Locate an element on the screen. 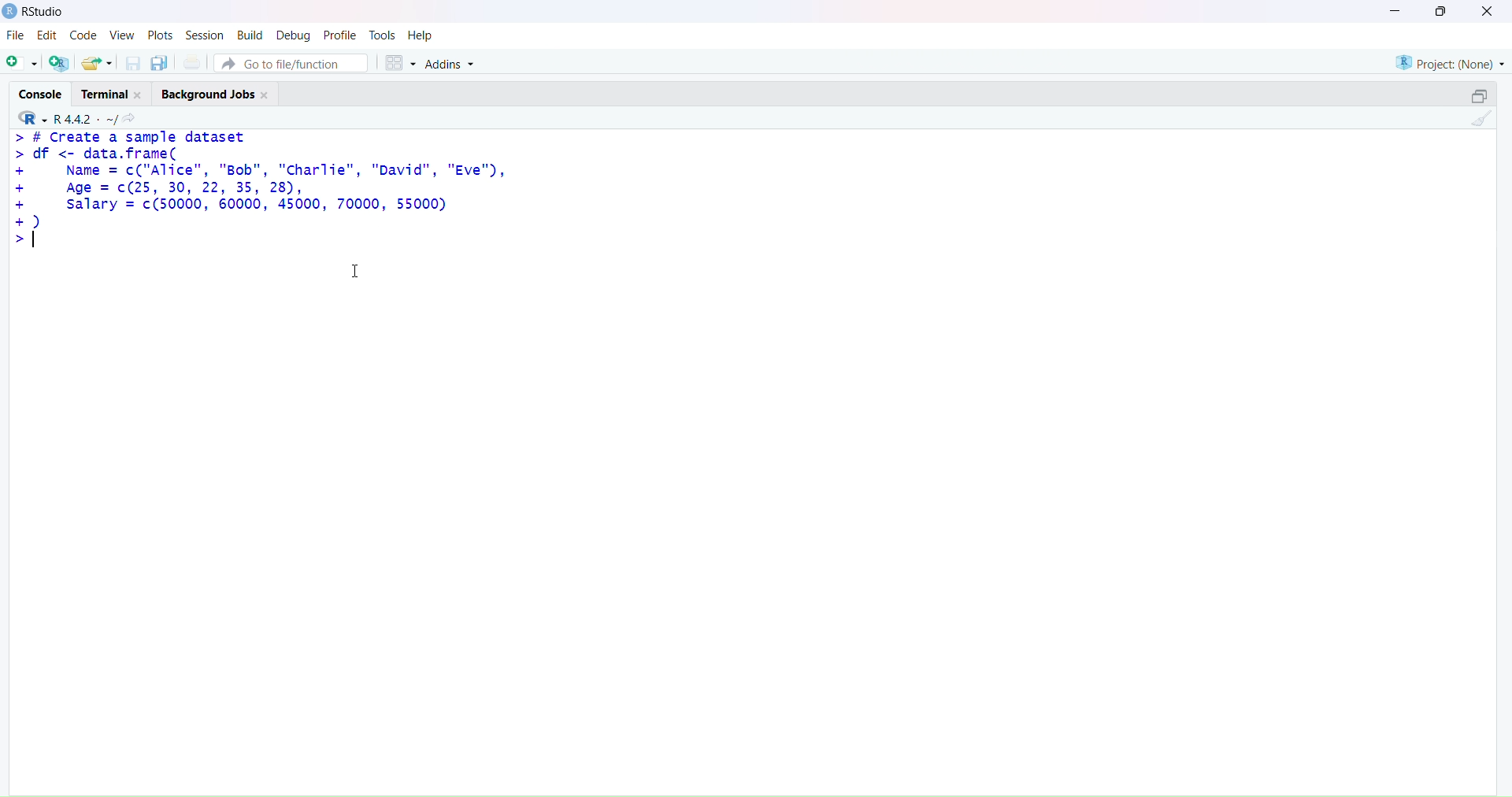 This screenshot has width=1512, height=797. session is located at coordinates (206, 35).